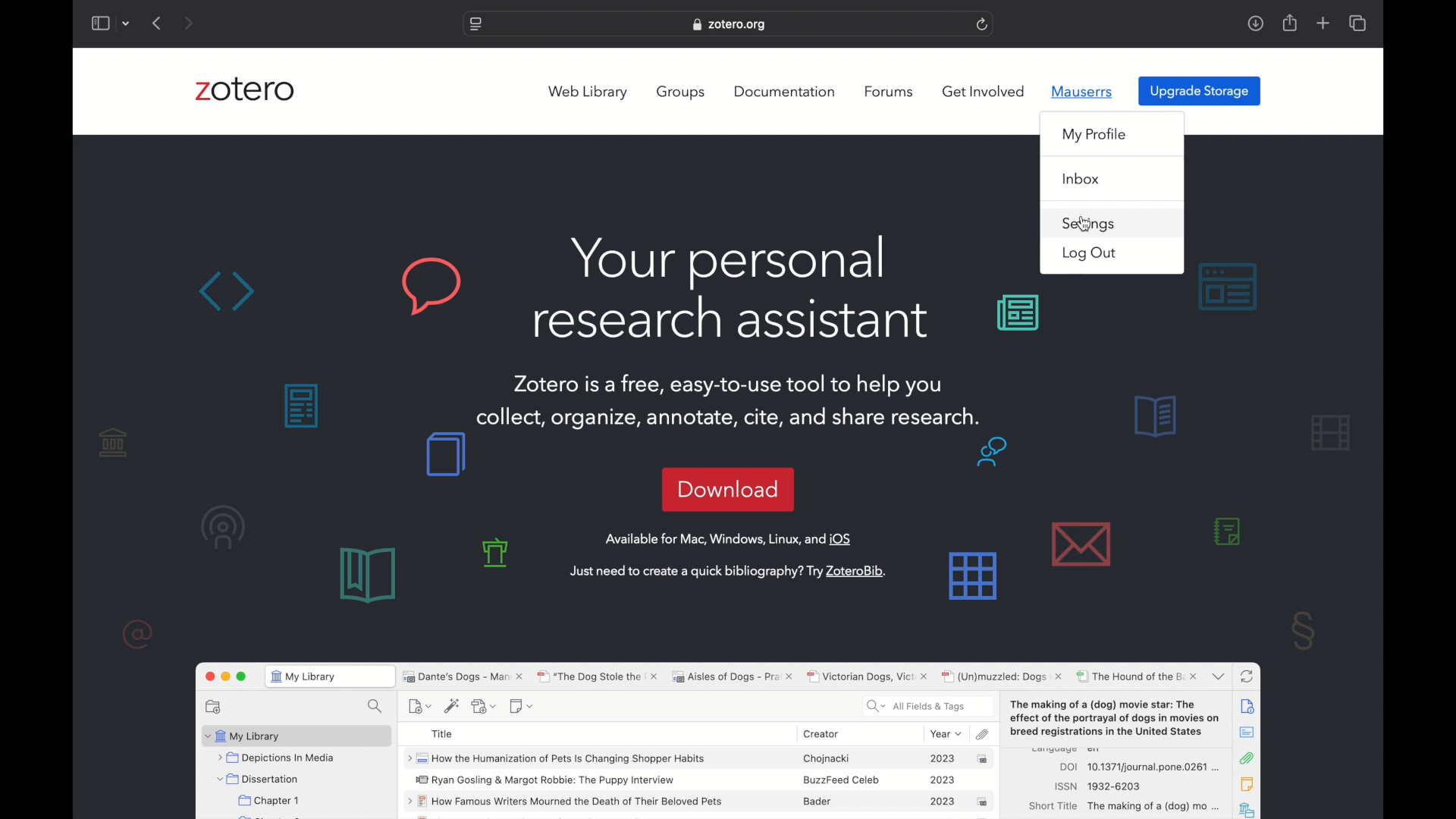 The height and width of the screenshot is (819, 1456). What do you see at coordinates (726, 571) in the screenshot?
I see `just need to create a quick bibliography? try zoterobib` at bounding box center [726, 571].